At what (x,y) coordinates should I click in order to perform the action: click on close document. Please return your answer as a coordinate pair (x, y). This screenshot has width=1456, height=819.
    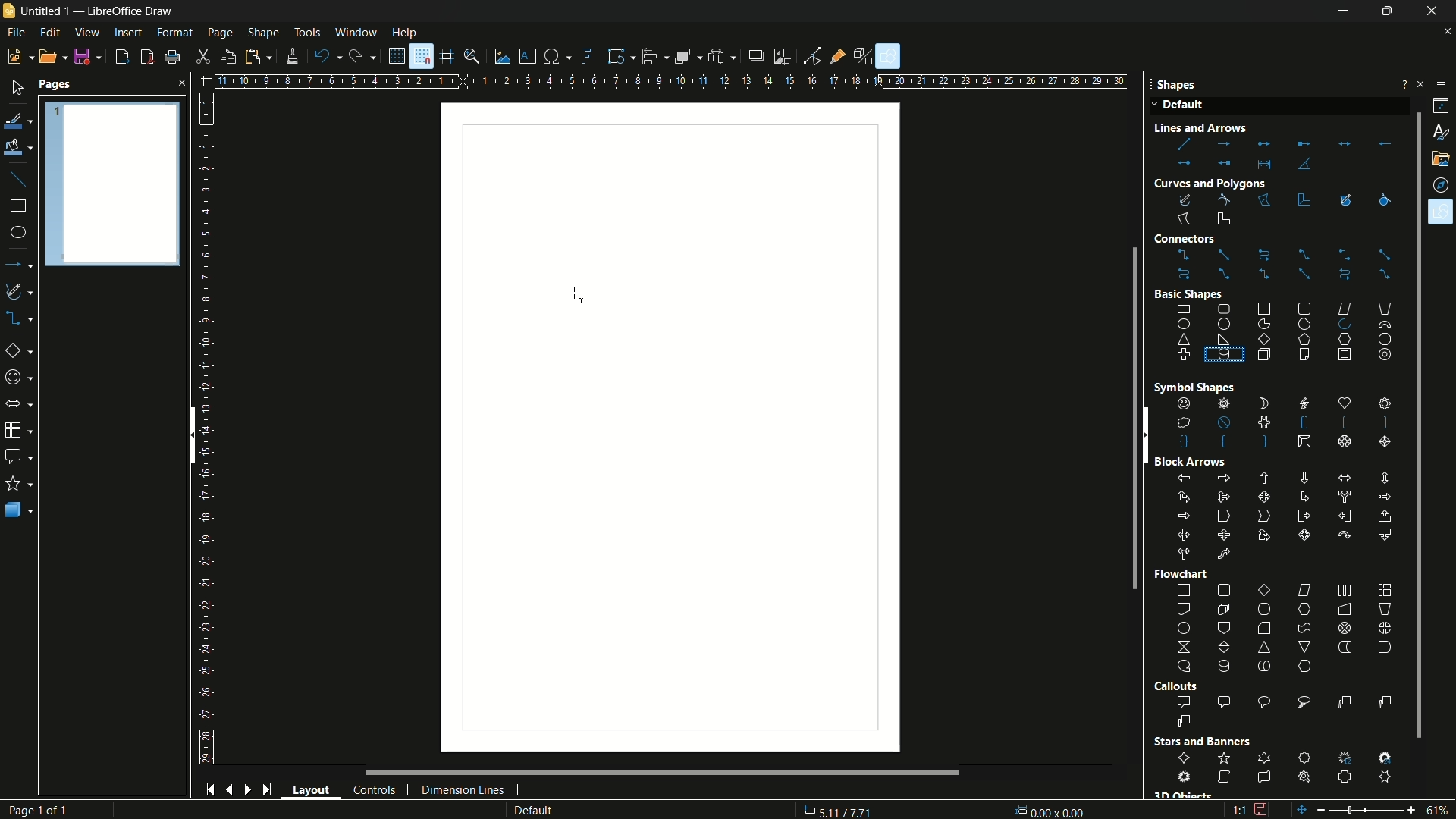
    Looking at the image, I should click on (1447, 33).